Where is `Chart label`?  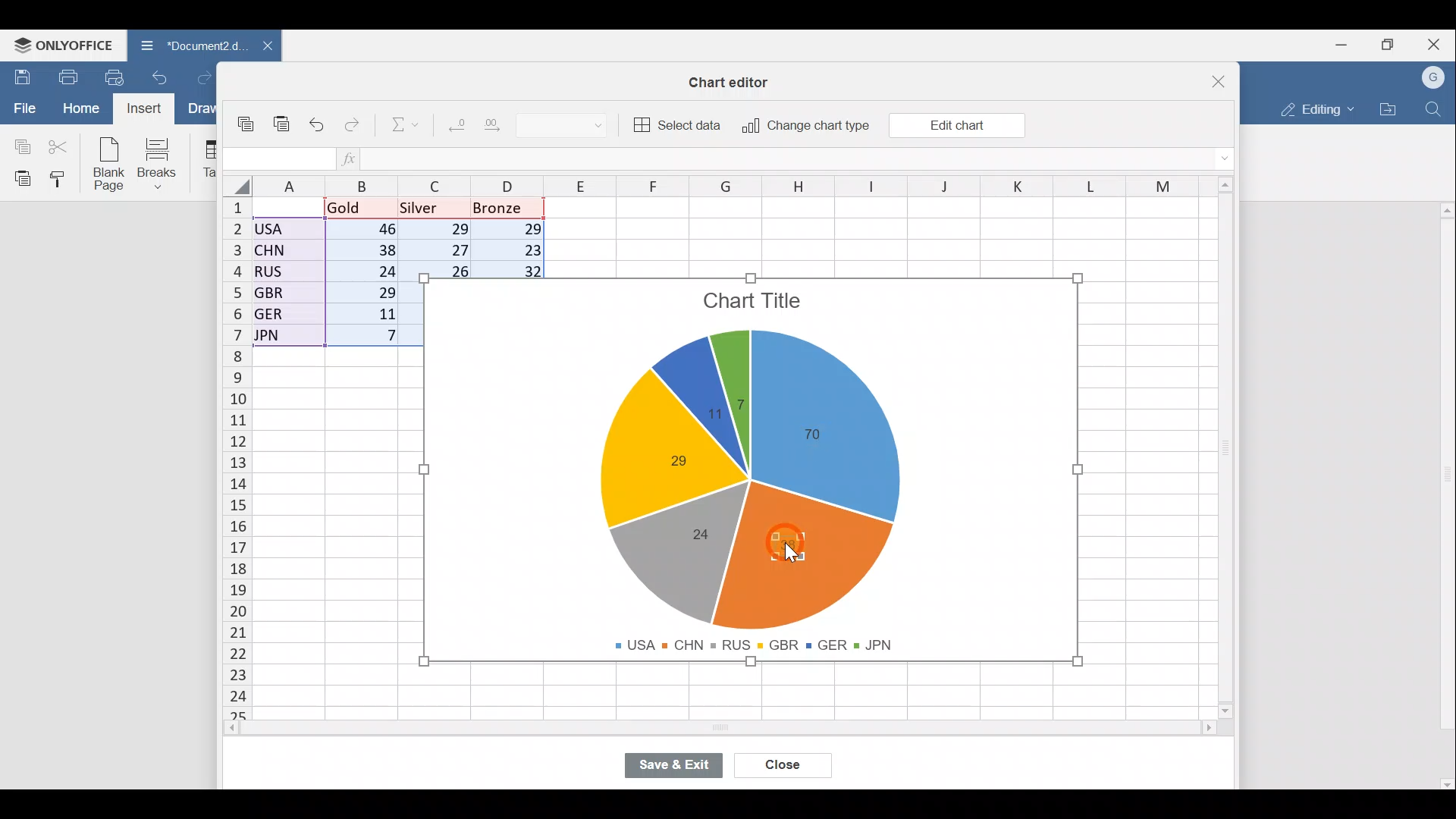 Chart label is located at coordinates (699, 532).